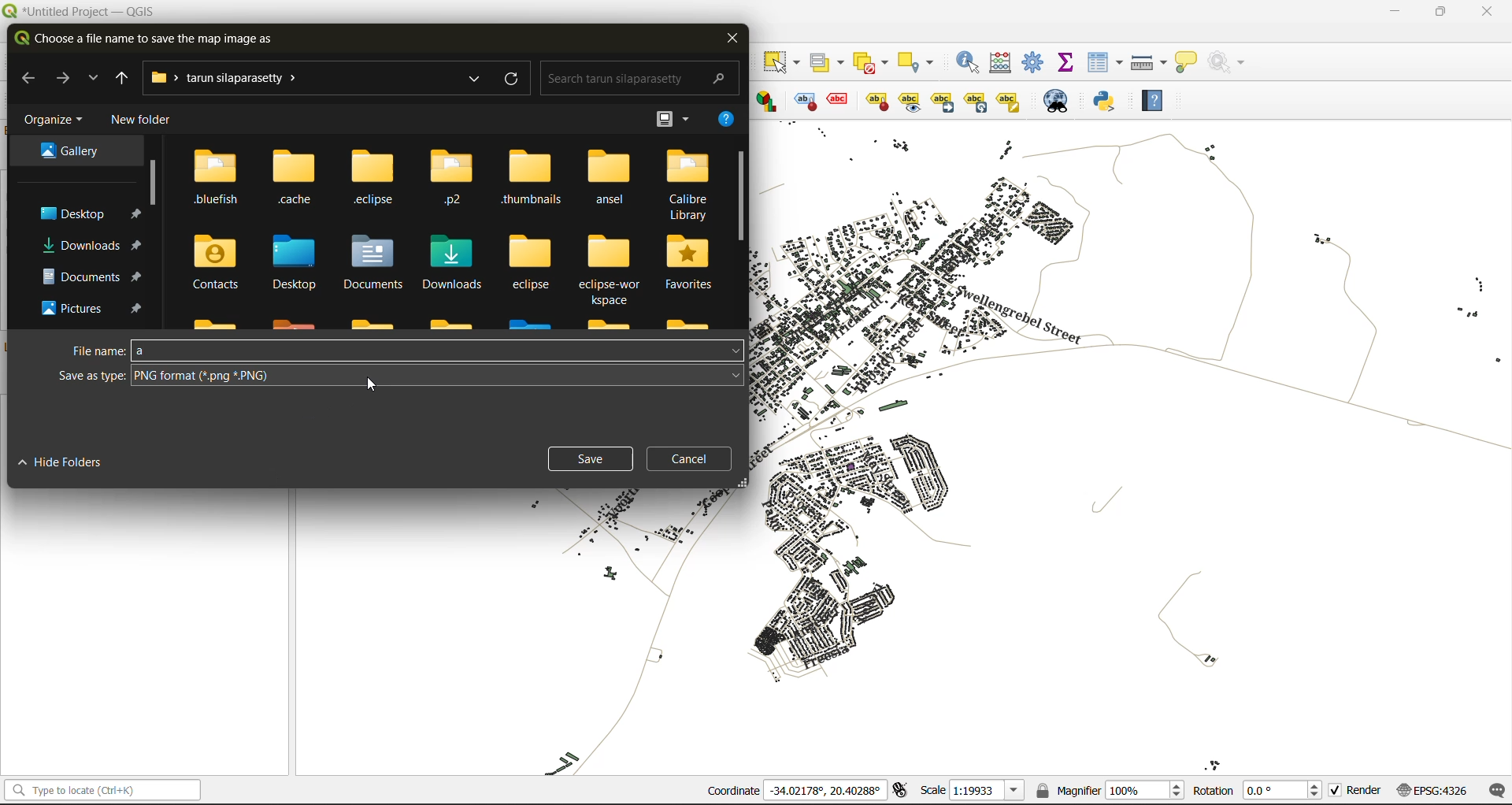 The image size is (1512, 805). What do you see at coordinates (1111, 102) in the screenshot?
I see `python` at bounding box center [1111, 102].